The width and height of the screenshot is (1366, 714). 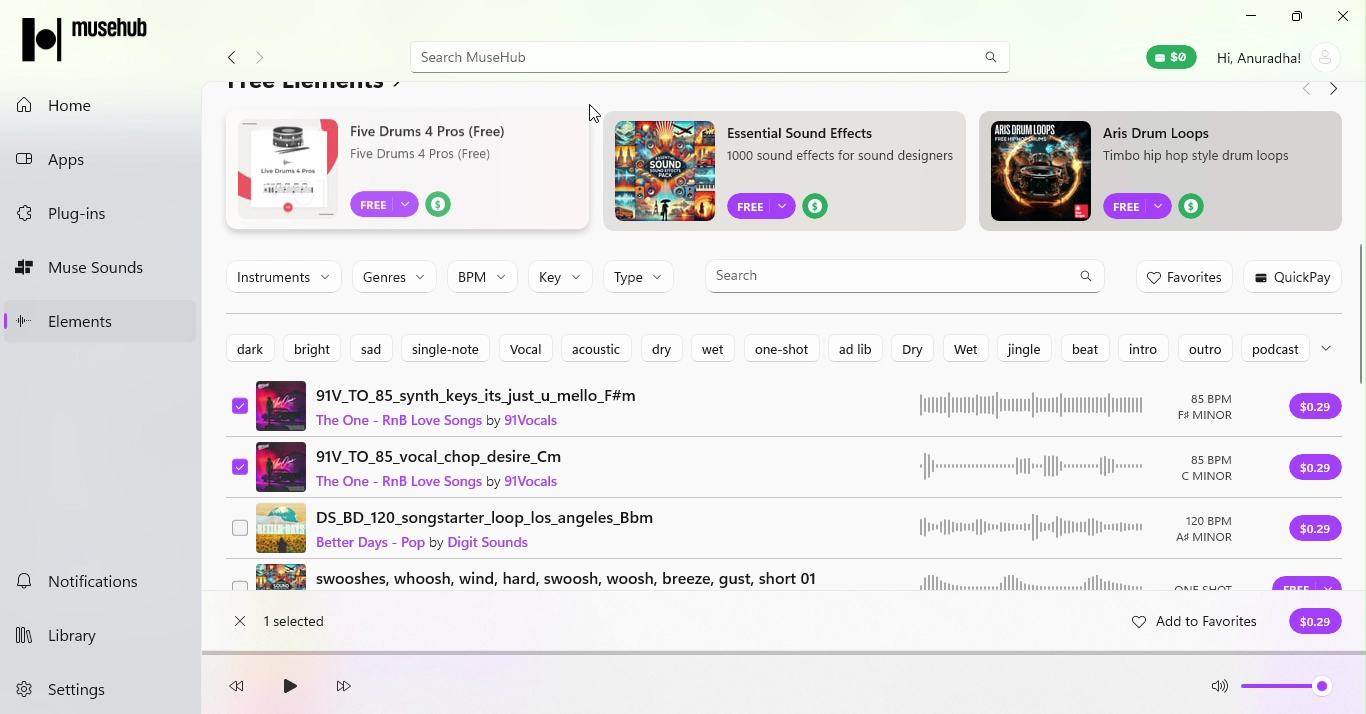 I want to click on Favorites, so click(x=1187, y=278).